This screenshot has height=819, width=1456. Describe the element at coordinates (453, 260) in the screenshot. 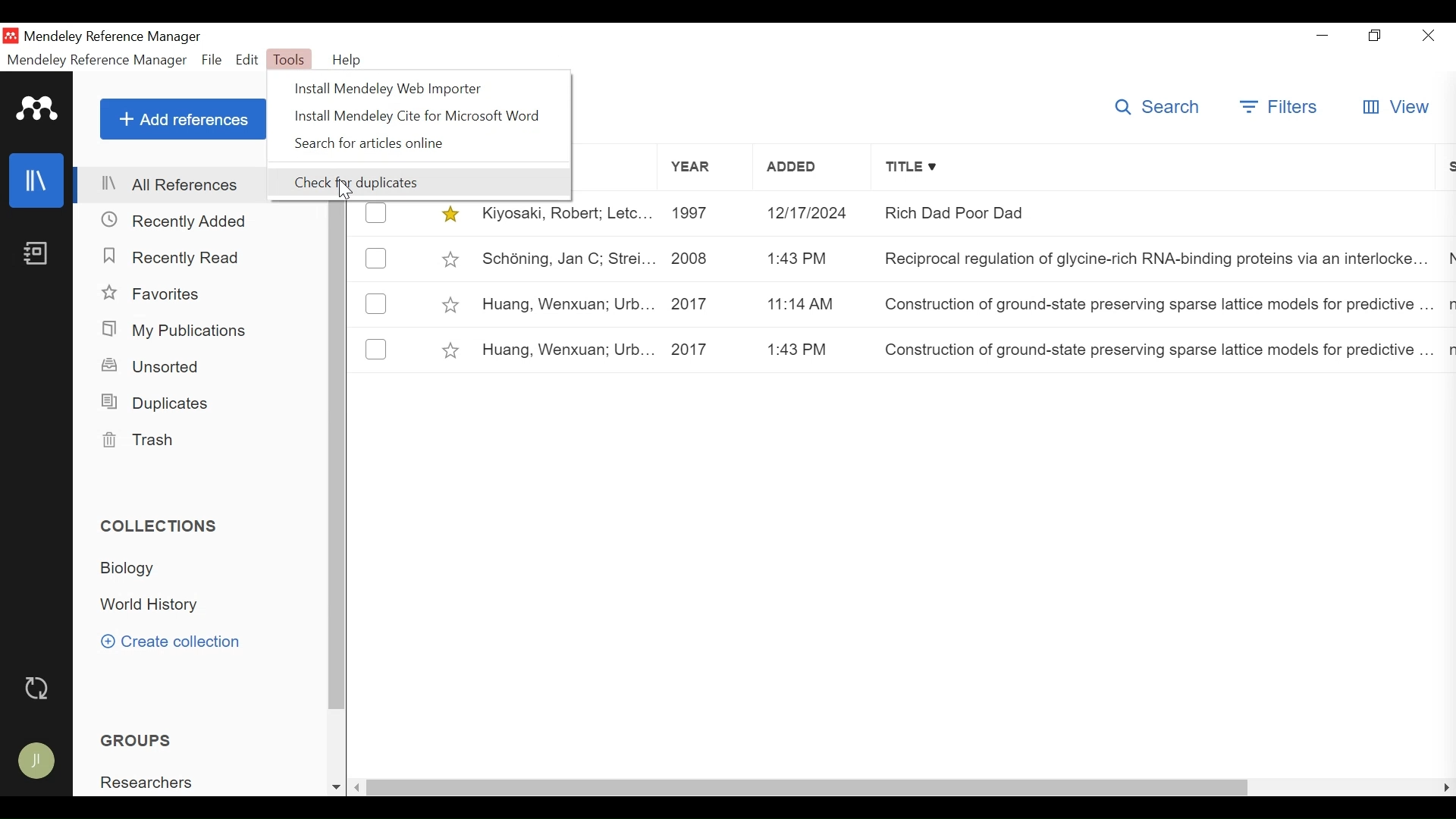

I see `Toggle Favorites` at that location.